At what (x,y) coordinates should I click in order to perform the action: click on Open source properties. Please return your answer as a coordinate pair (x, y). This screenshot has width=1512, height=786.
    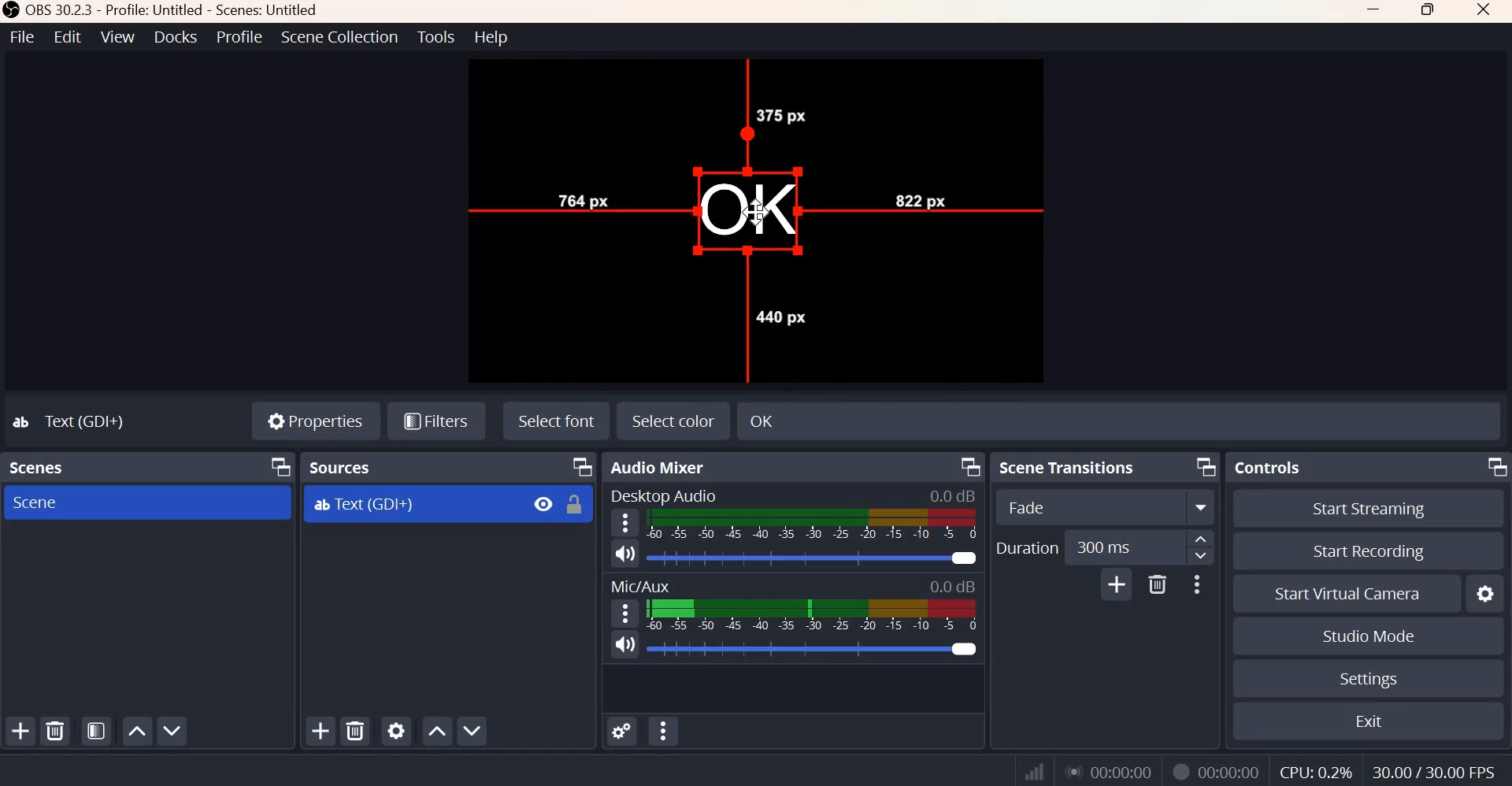
    Looking at the image, I should click on (395, 730).